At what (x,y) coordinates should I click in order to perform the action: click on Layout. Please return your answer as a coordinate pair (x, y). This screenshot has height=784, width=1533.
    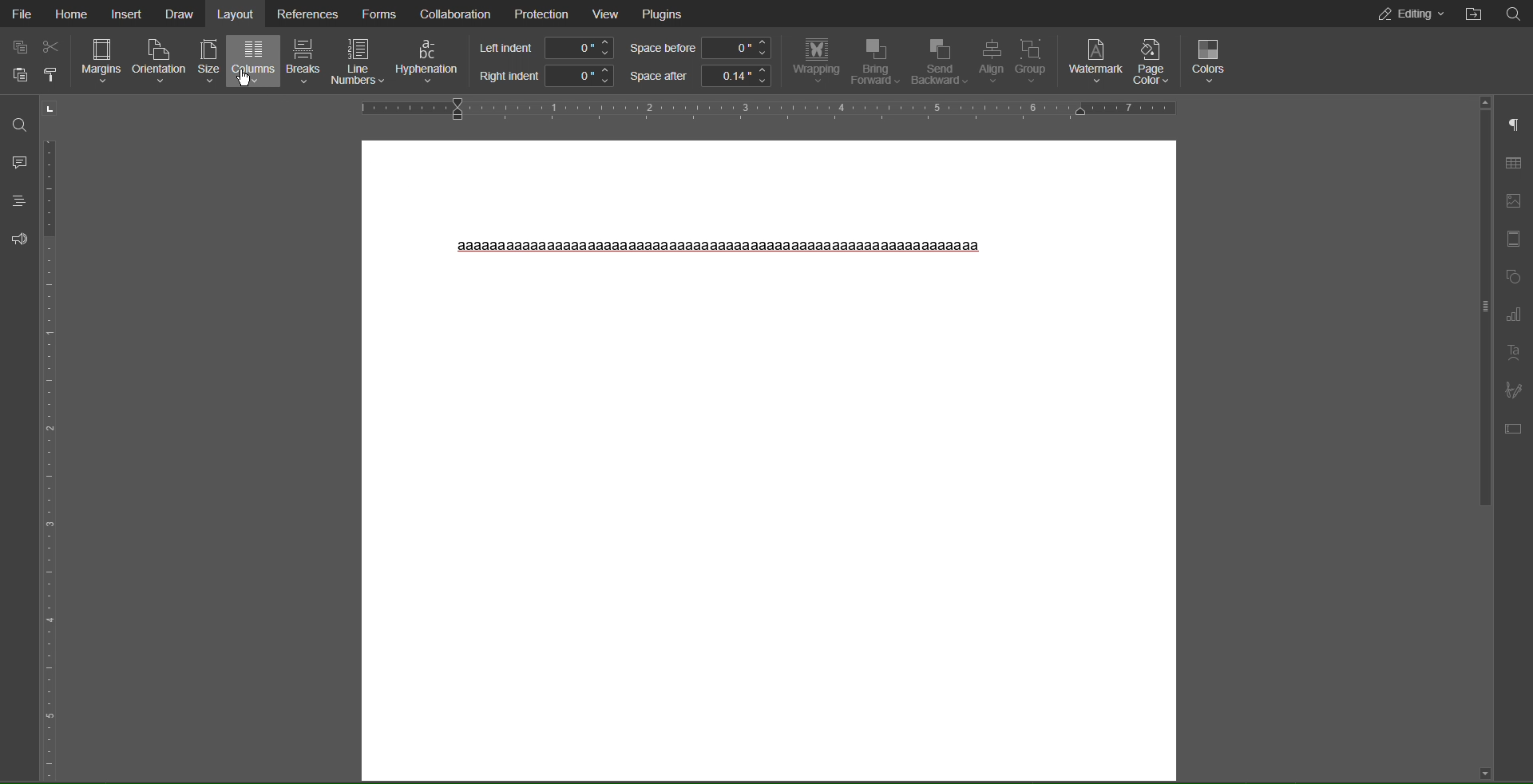
    Looking at the image, I should click on (239, 14).